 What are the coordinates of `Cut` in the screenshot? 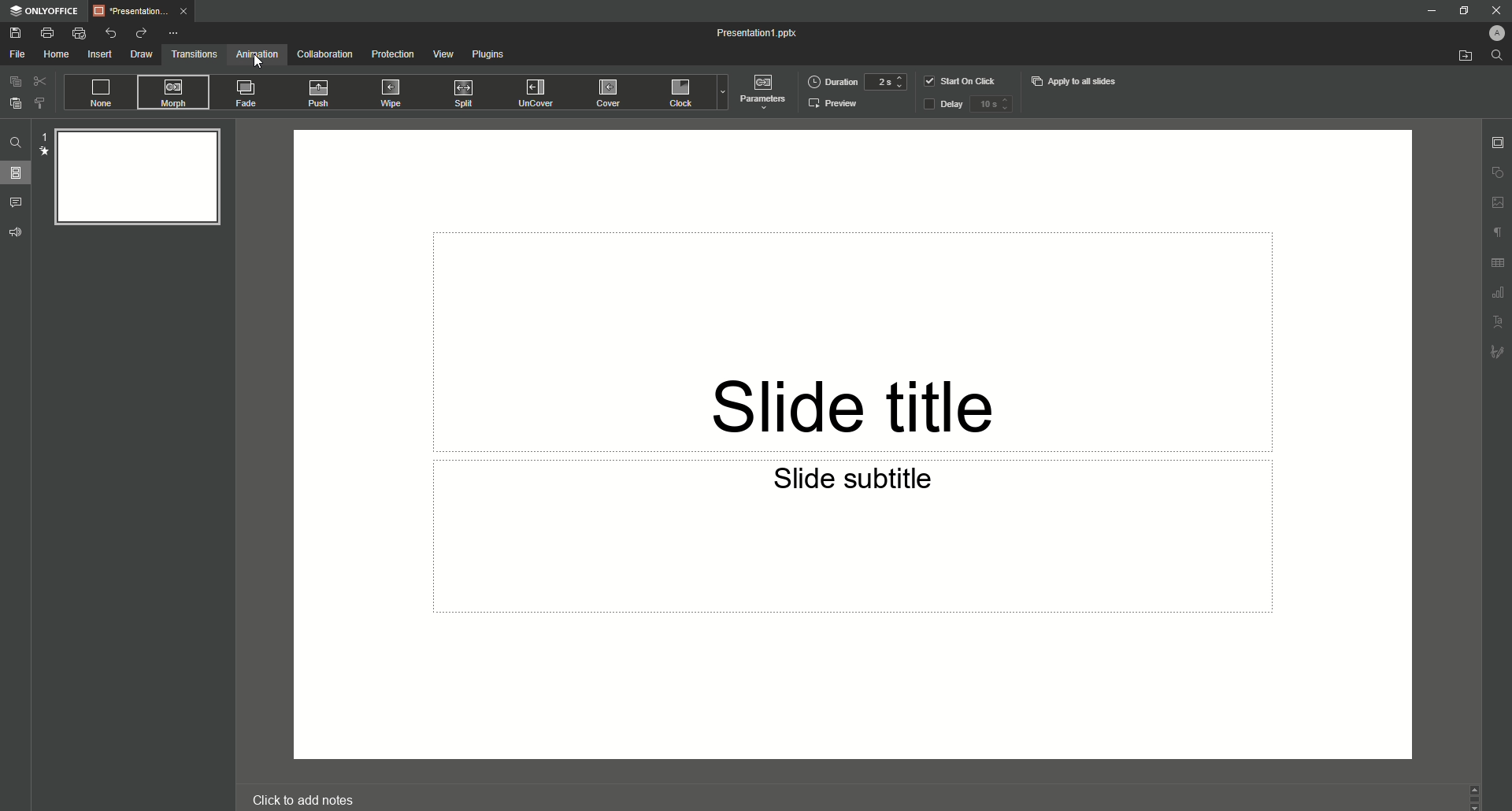 It's located at (41, 81).